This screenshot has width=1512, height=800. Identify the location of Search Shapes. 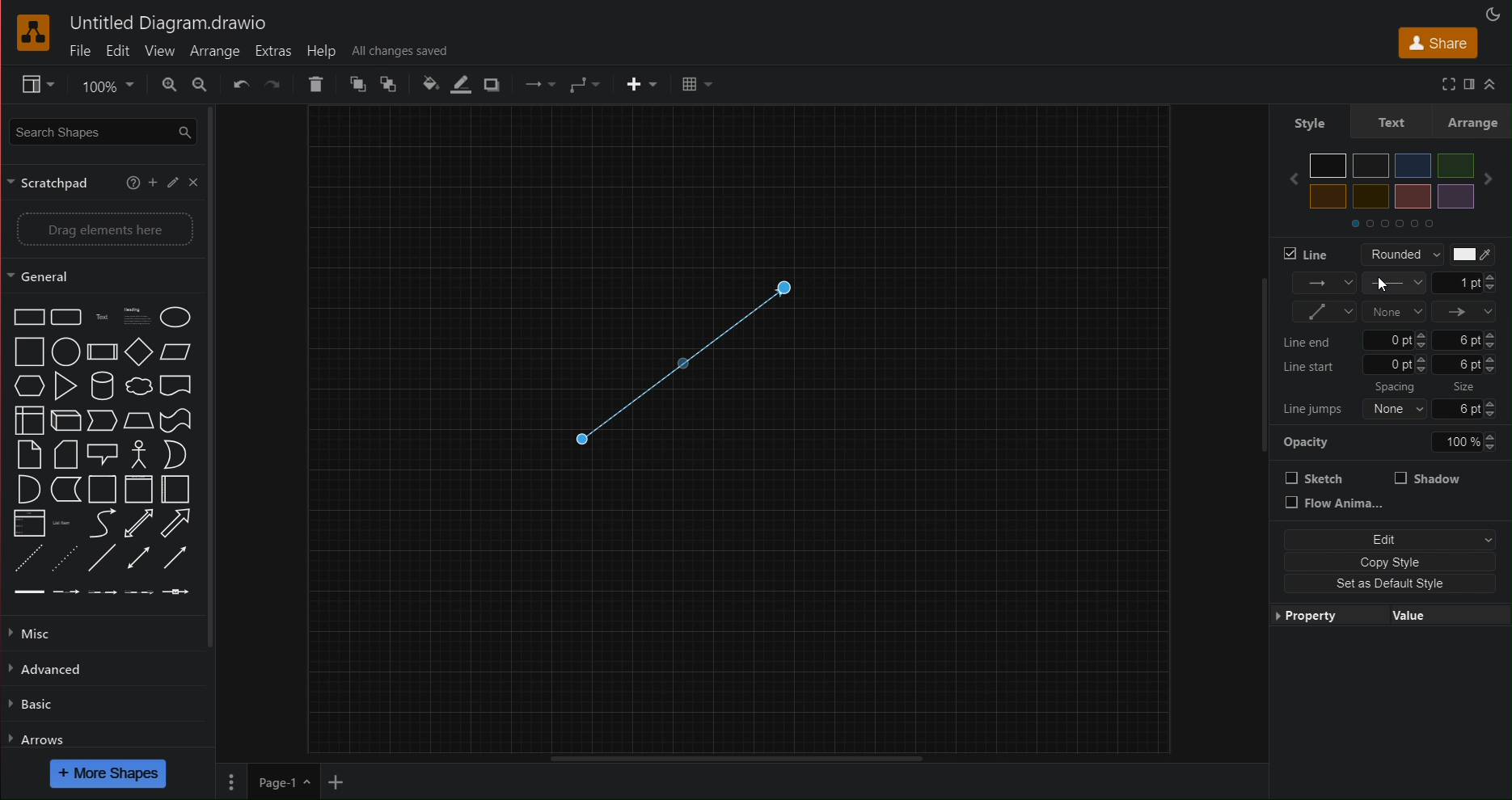
(99, 130).